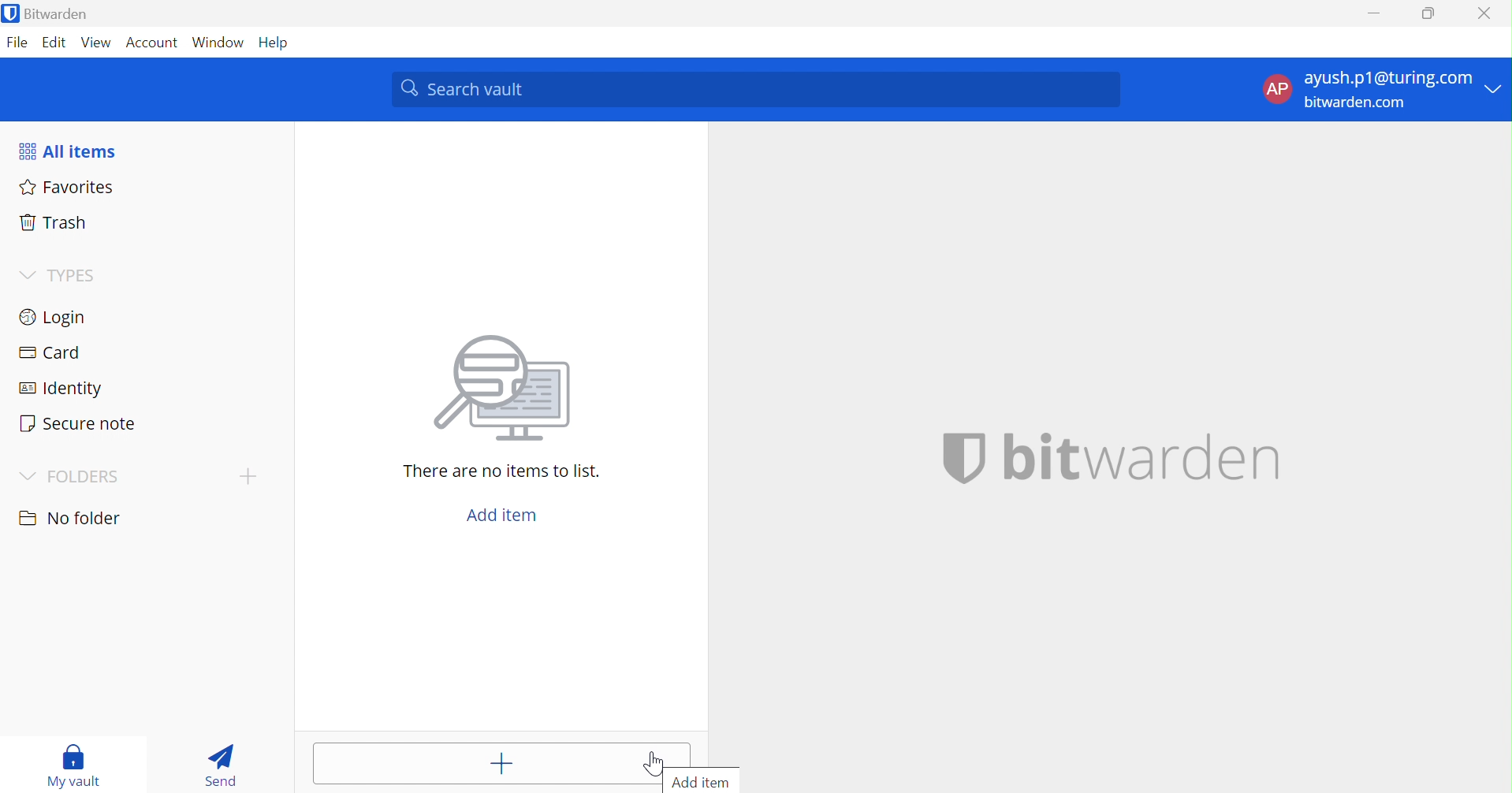  Describe the element at coordinates (80, 422) in the screenshot. I see `Secure note` at that location.